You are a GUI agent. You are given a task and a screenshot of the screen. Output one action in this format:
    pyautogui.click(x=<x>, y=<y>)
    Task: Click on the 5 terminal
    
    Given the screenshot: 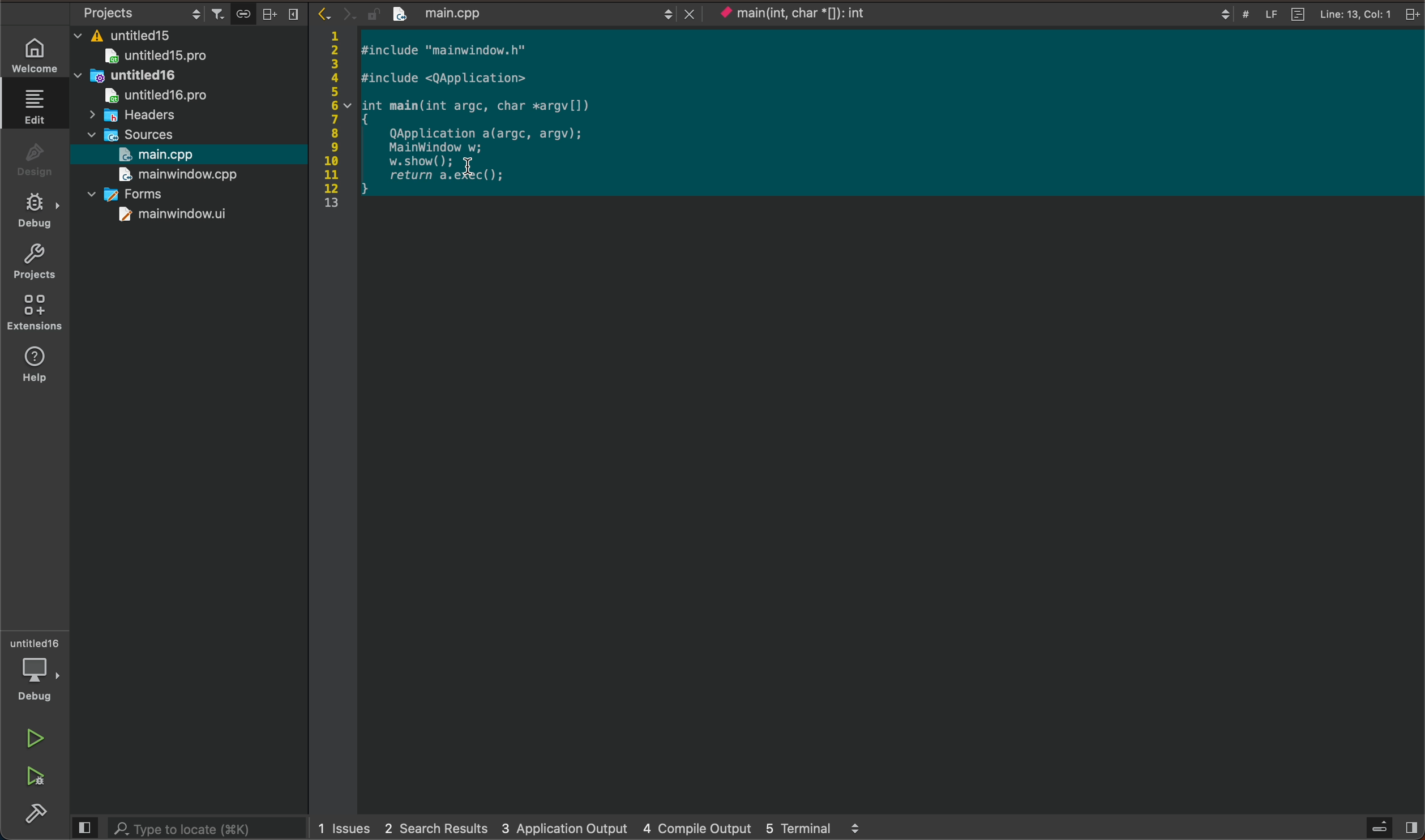 What is the action you would take?
    pyautogui.click(x=829, y=828)
    